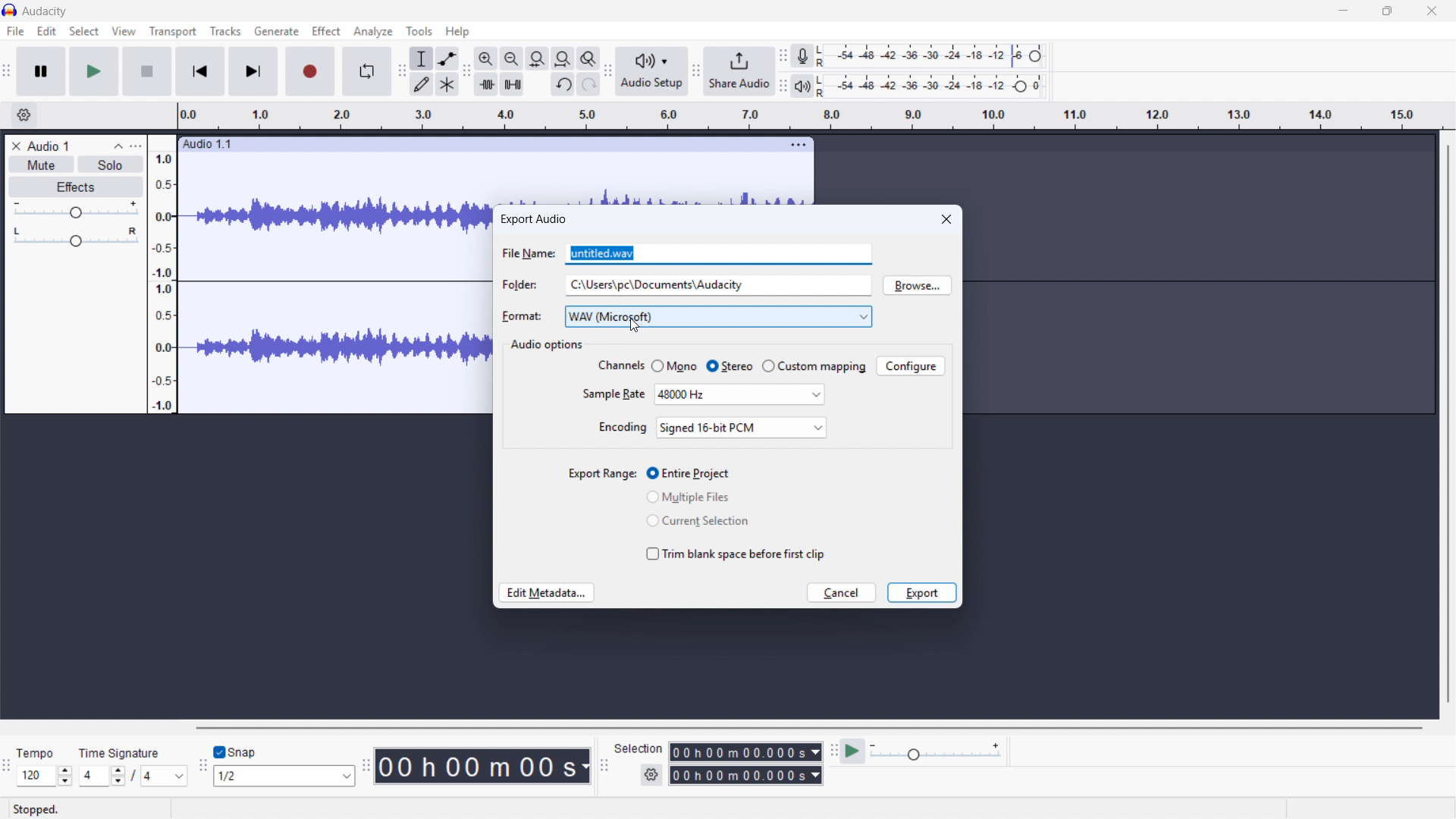 The width and height of the screenshot is (1456, 819). Describe the element at coordinates (1388, 11) in the screenshot. I see `maximise ` at that location.